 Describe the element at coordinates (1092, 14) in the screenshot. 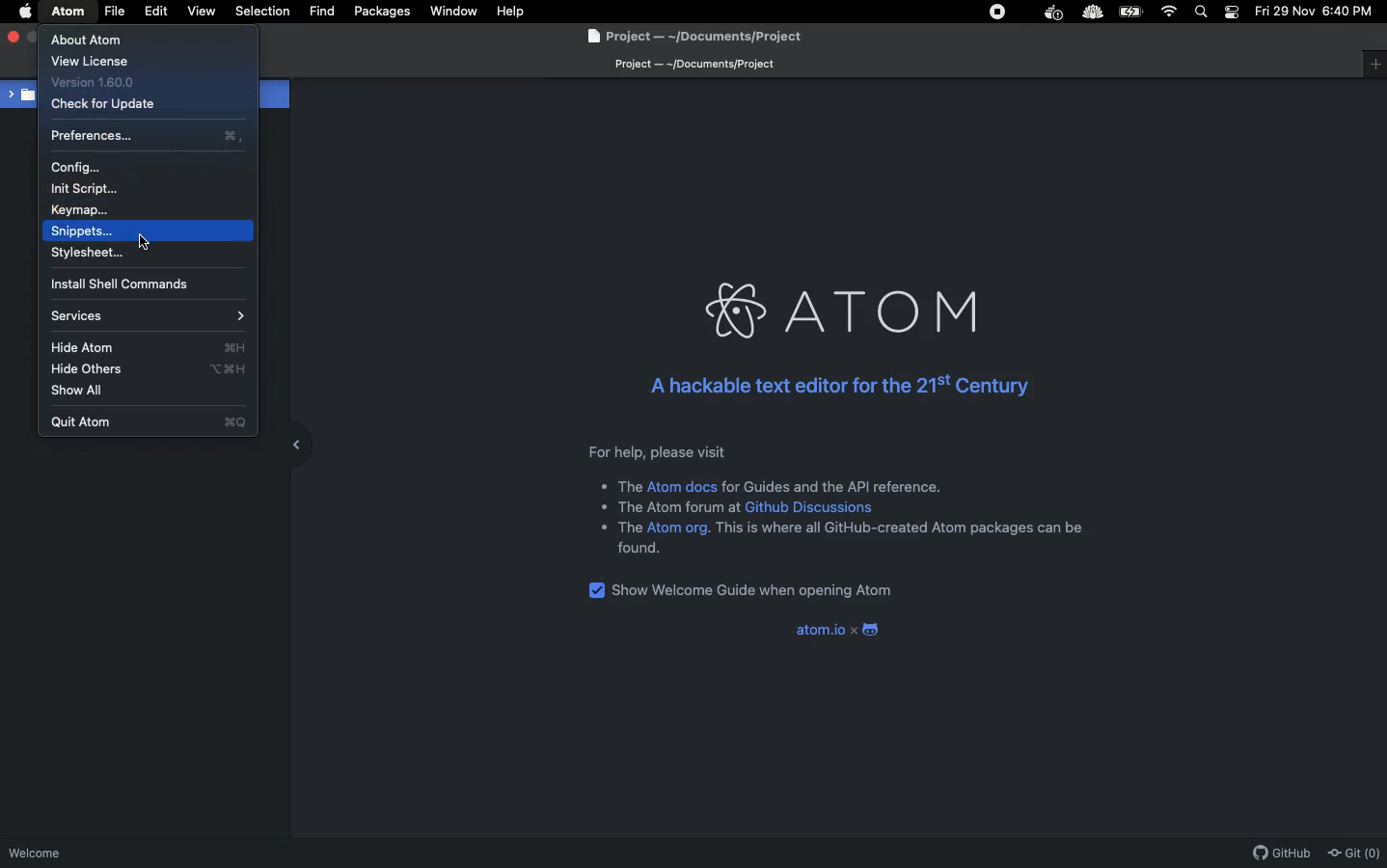

I see `extension` at that location.